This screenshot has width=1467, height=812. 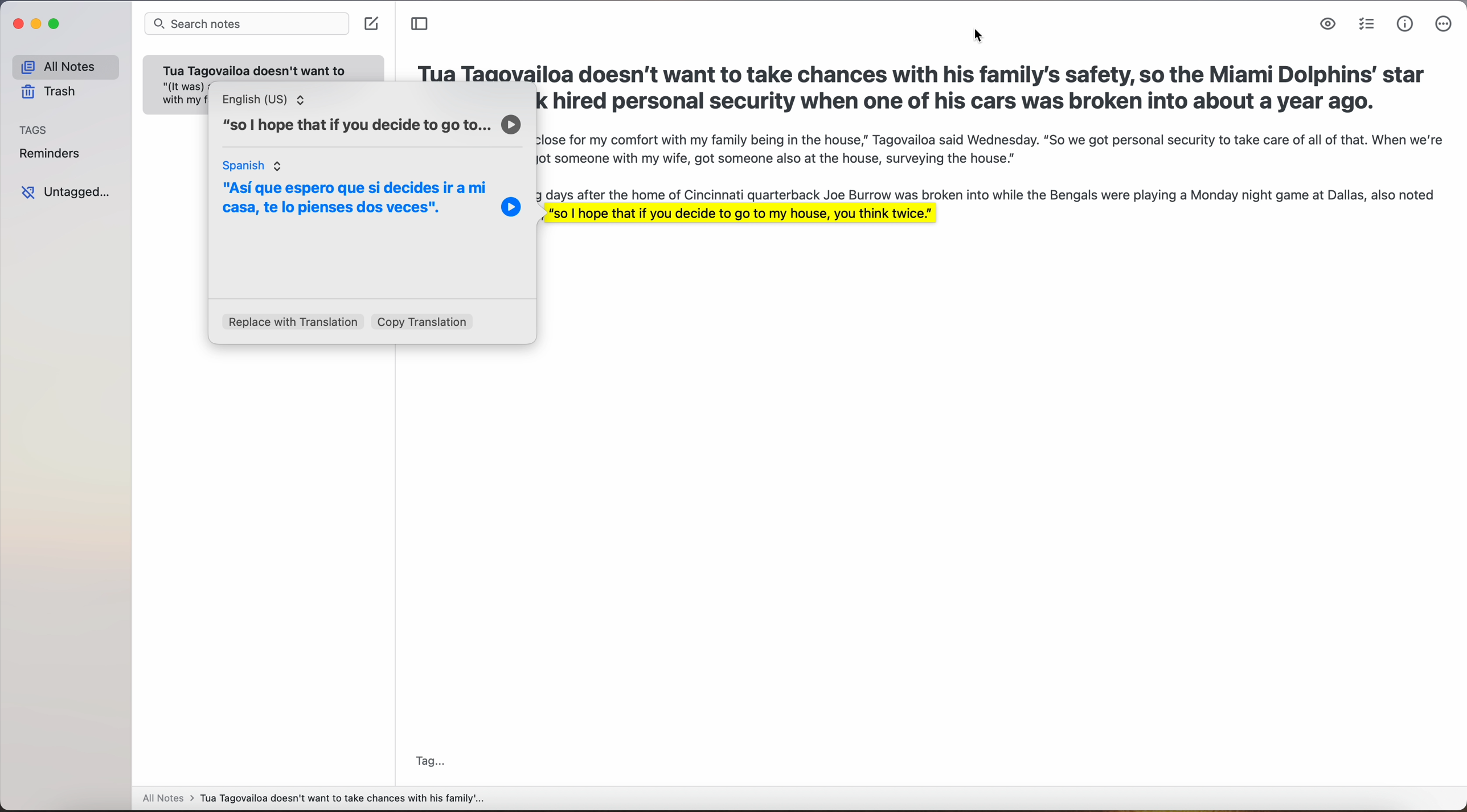 I want to click on minimize, so click(x=38, y=28).